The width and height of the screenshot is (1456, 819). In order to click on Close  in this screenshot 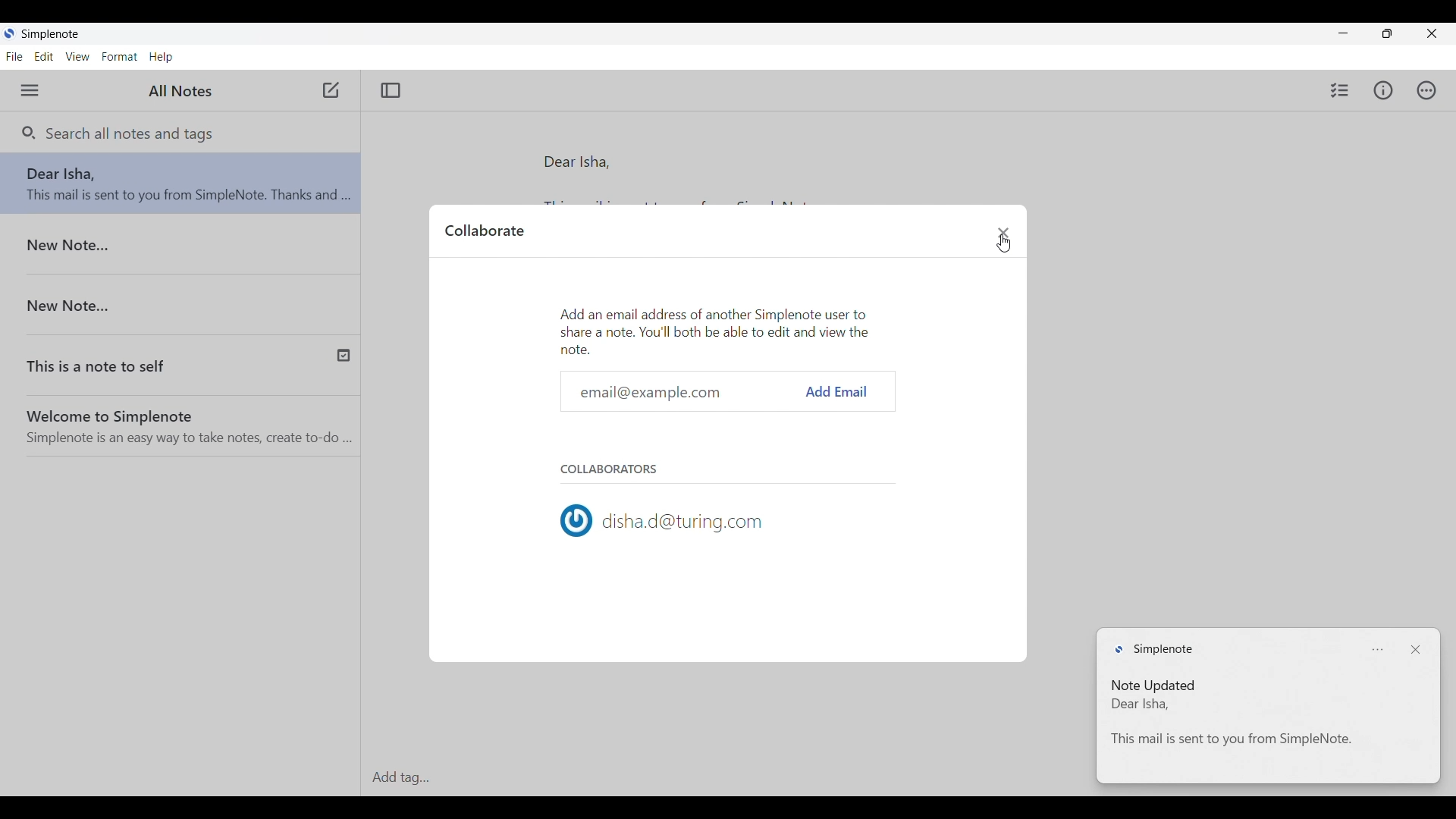, I will do `click(1004, 232)`.